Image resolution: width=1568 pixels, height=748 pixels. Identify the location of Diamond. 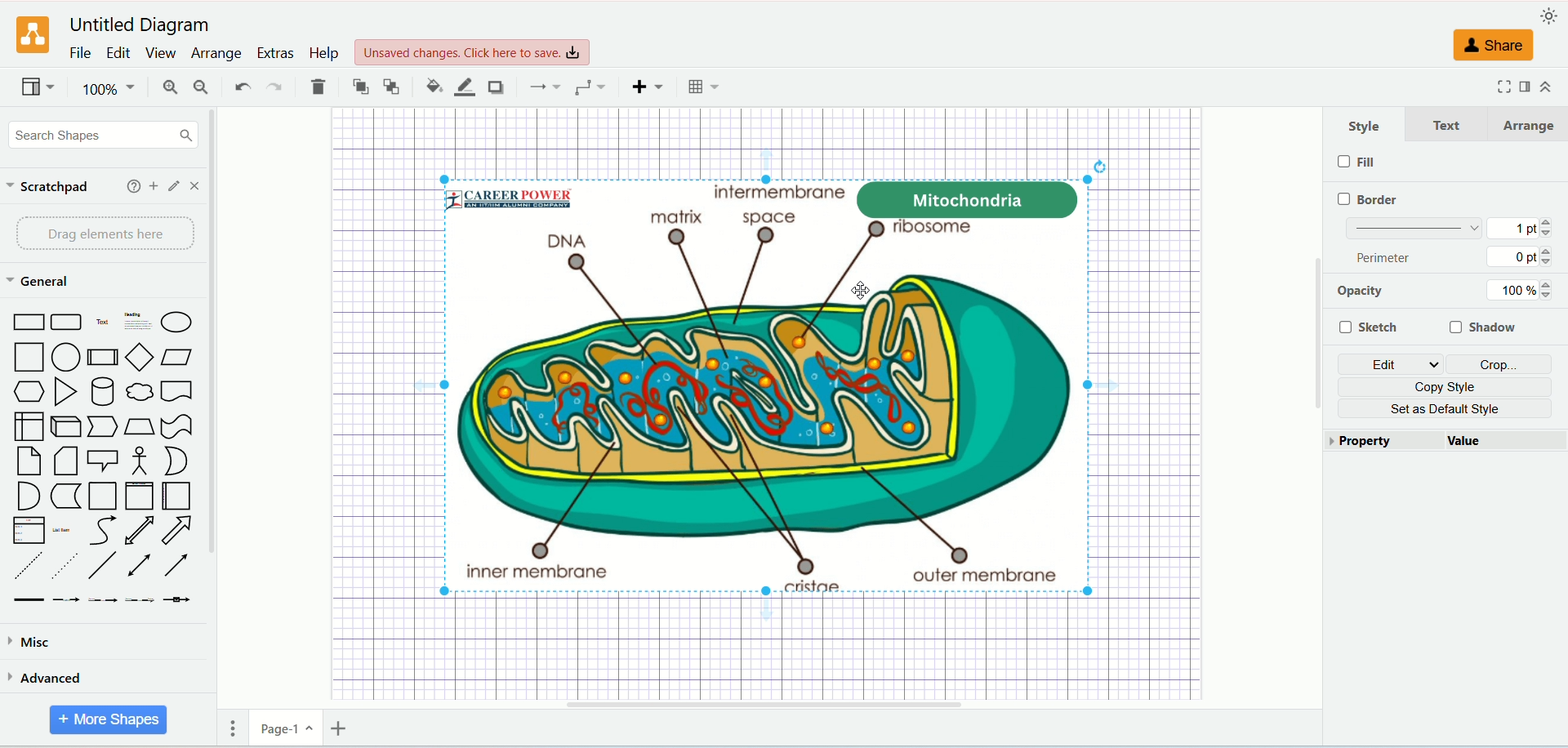
(141, 359).